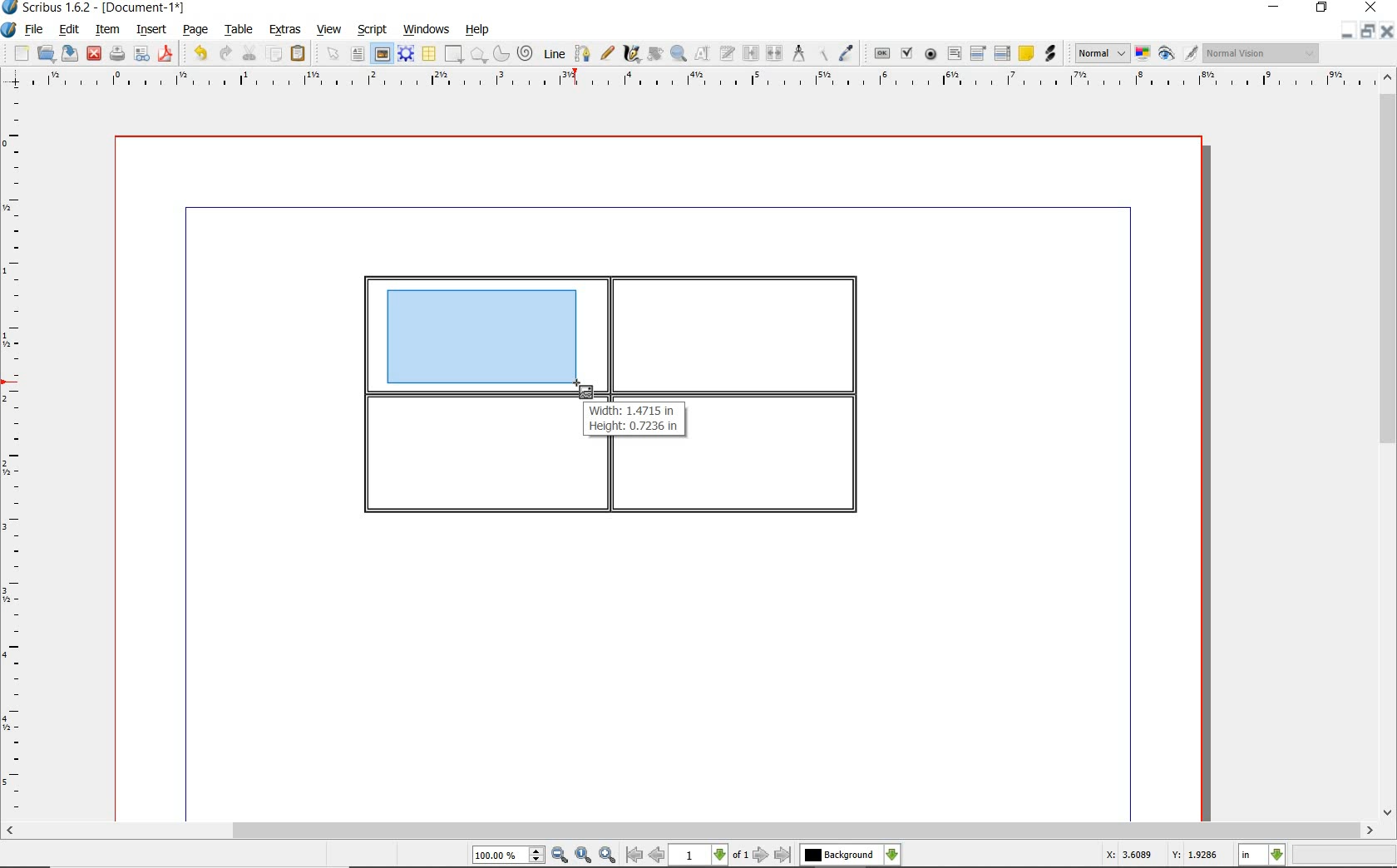 This screenshot has height=868, width=1397. Describe the element at coordinates (1167, 55) in the screenshot. I see `preview mode` at that location.